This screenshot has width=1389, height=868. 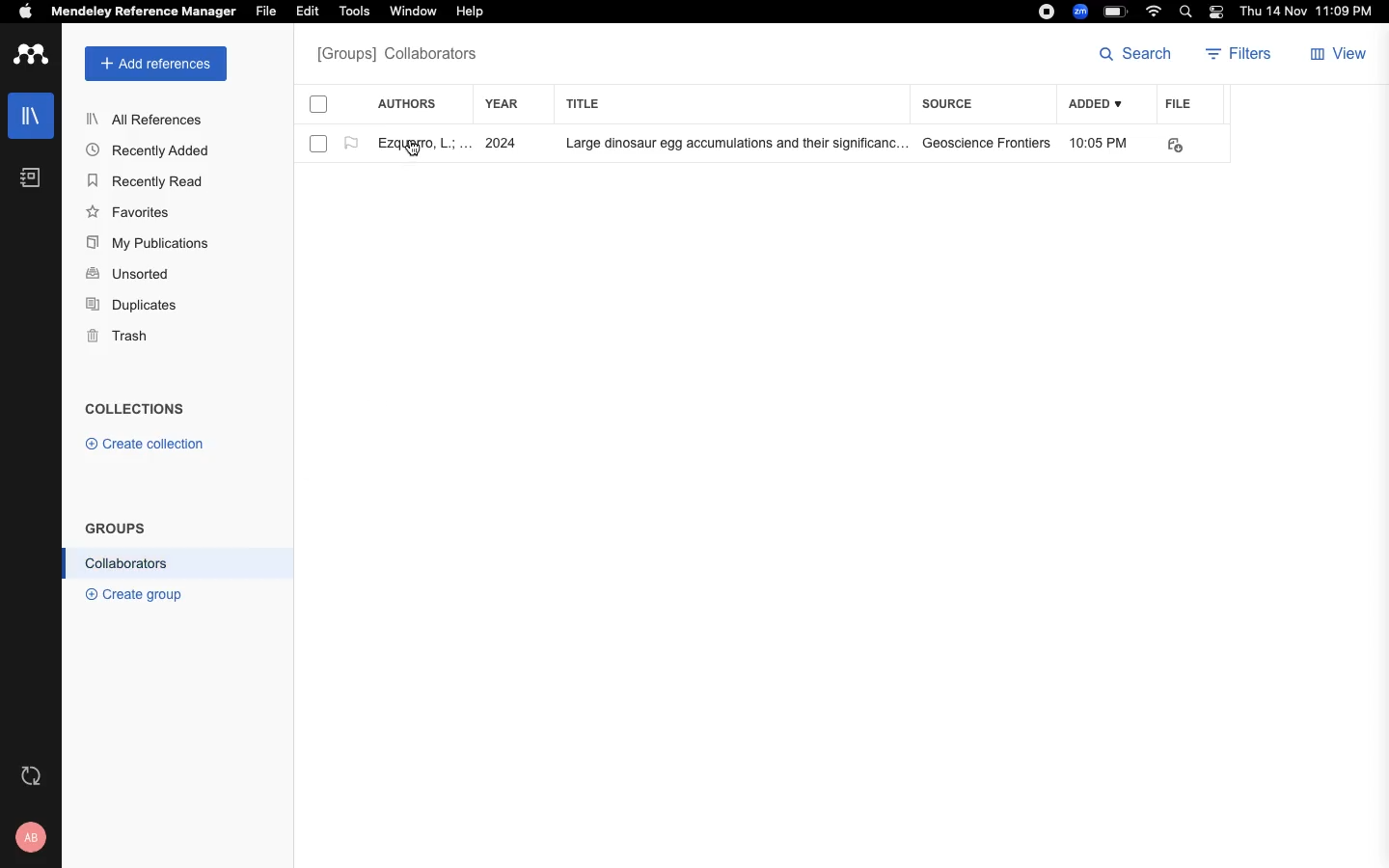 What do you see at coordinates (1083, 12) in the screenshot?
I see `zoom` at bounding box center [1083, 12].